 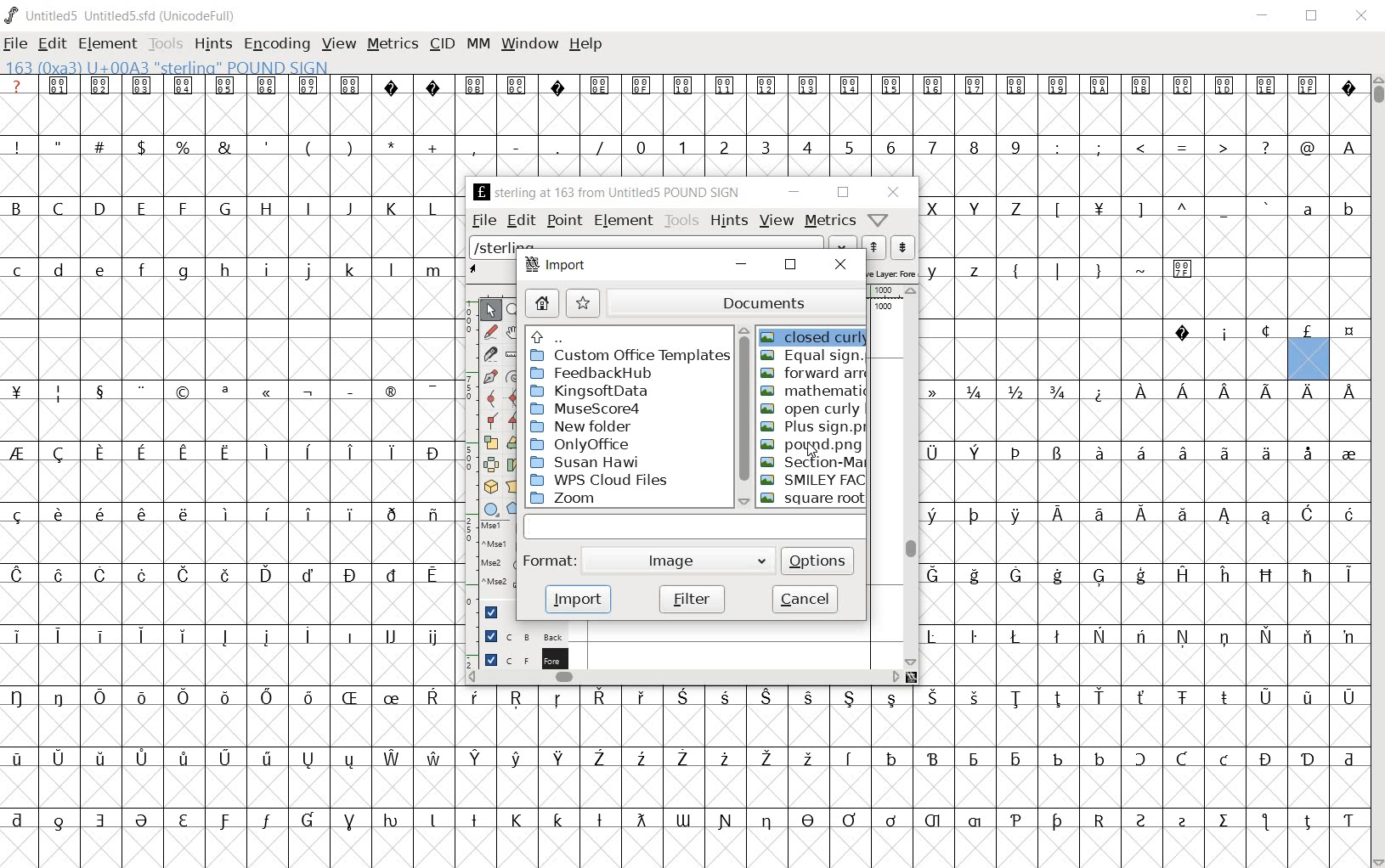 What do you see at coordinates (1055, 392) in the screenshot?
I see `3/4` at bounding box center [1055, 392].